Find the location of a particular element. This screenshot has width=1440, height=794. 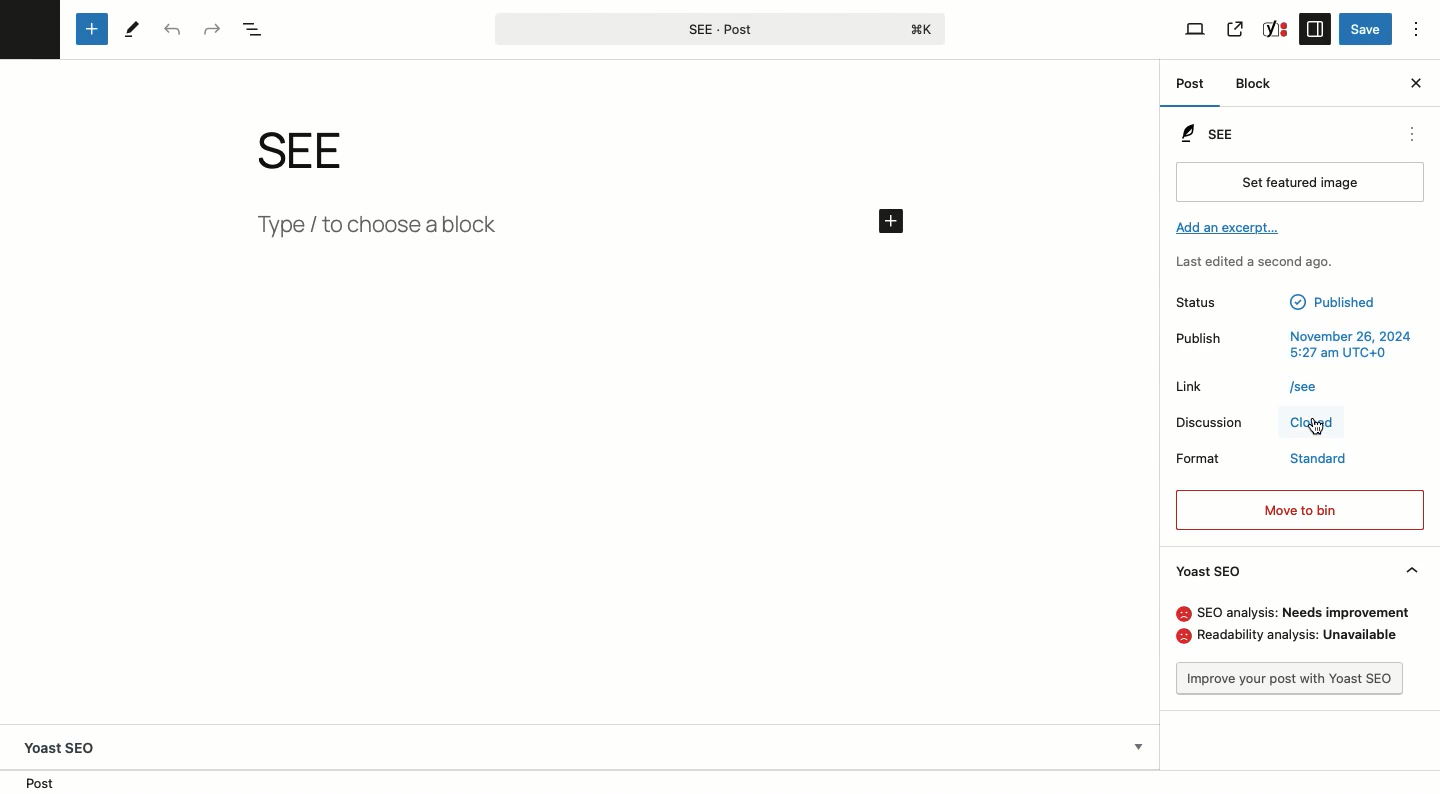

Add new block is located at coordinates (90, 29).